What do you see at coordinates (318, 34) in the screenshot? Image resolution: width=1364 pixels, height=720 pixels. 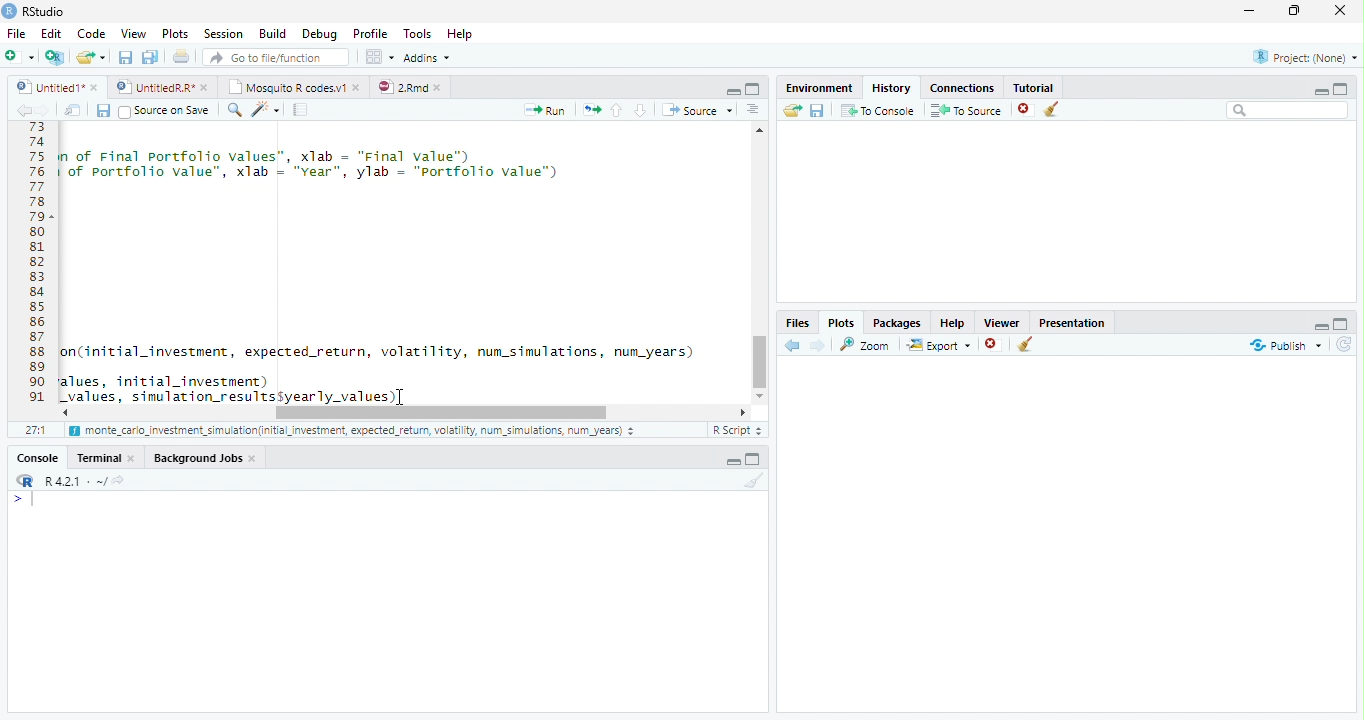 I see `Debug` at bounding box center [318, 34].